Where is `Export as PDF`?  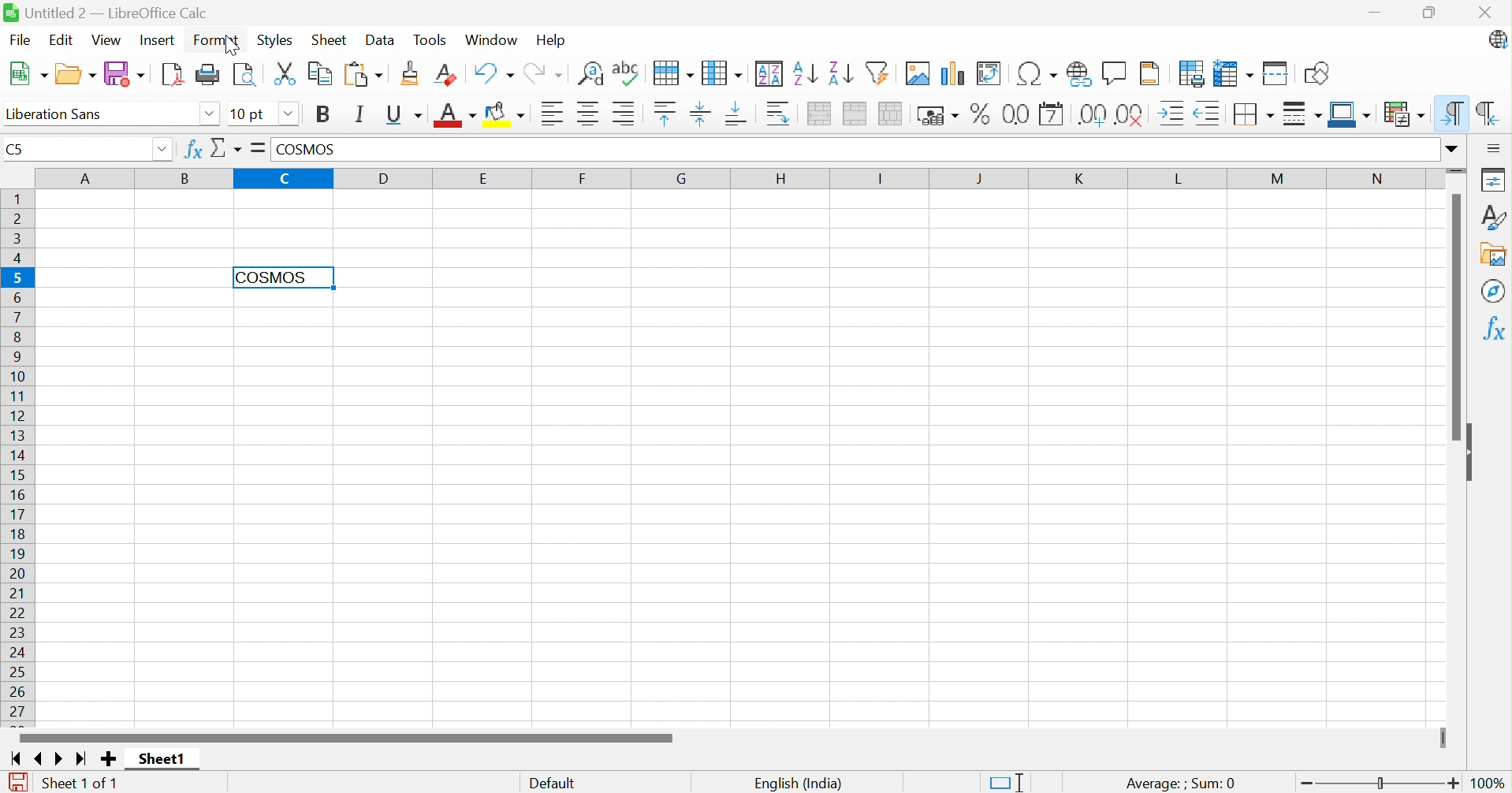
Export as PDF is located at coordinates (172, 75).